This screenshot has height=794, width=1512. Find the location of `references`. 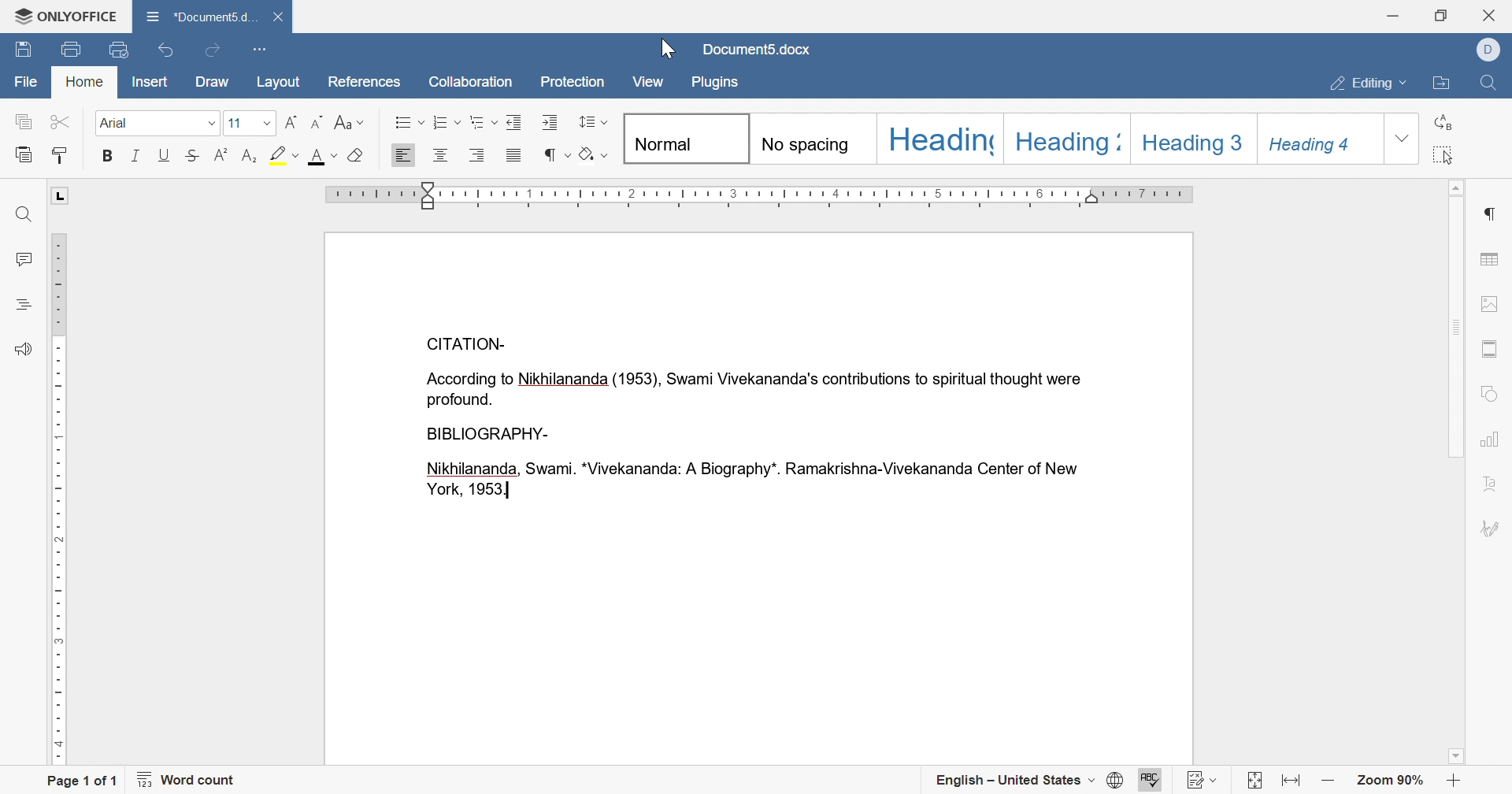

references is located at coordinates (365, 83).